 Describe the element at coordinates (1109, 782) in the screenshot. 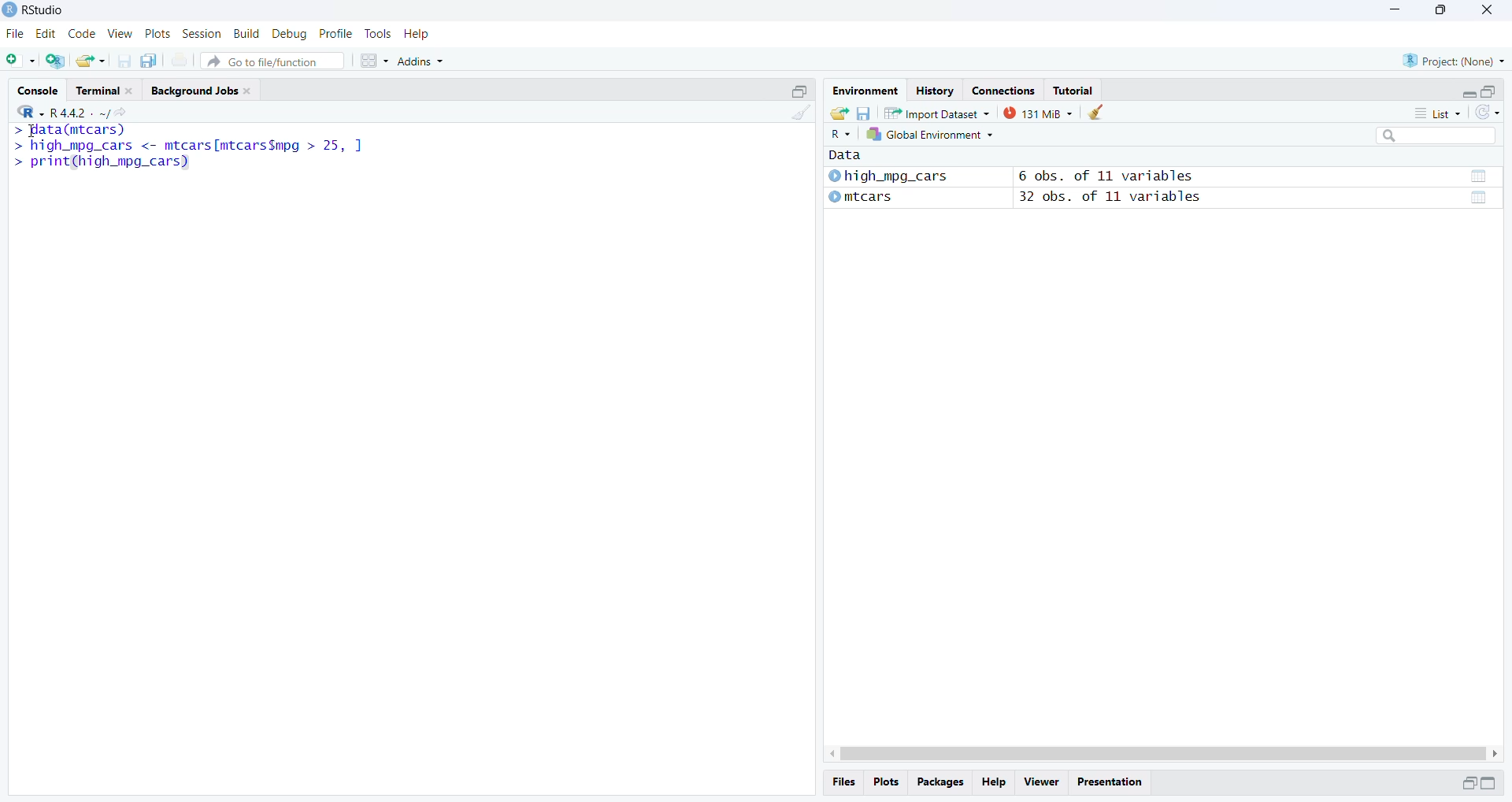

I see `Presentation` at that location.